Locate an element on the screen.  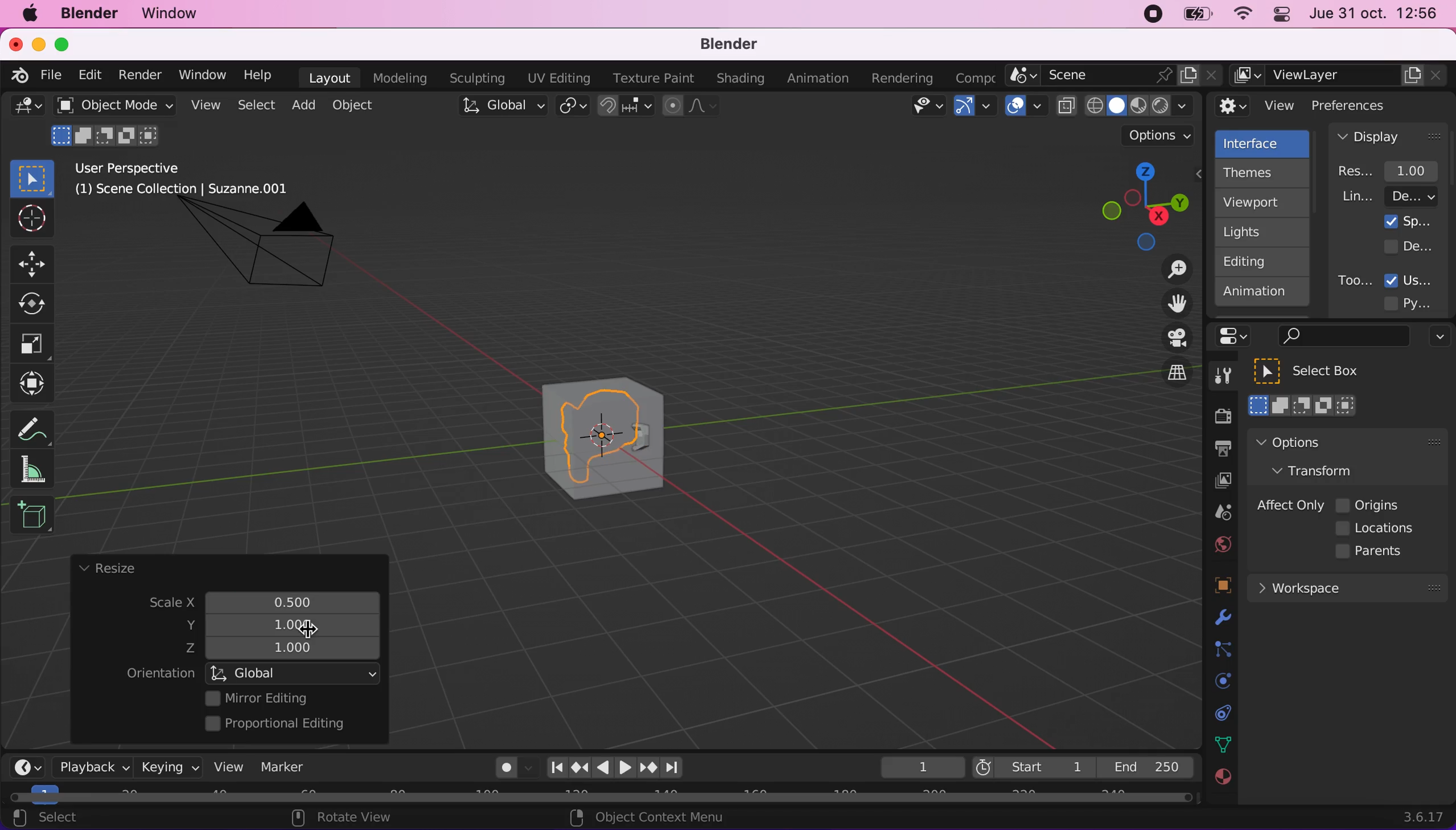
objects is located at coordinates (1209, 587).